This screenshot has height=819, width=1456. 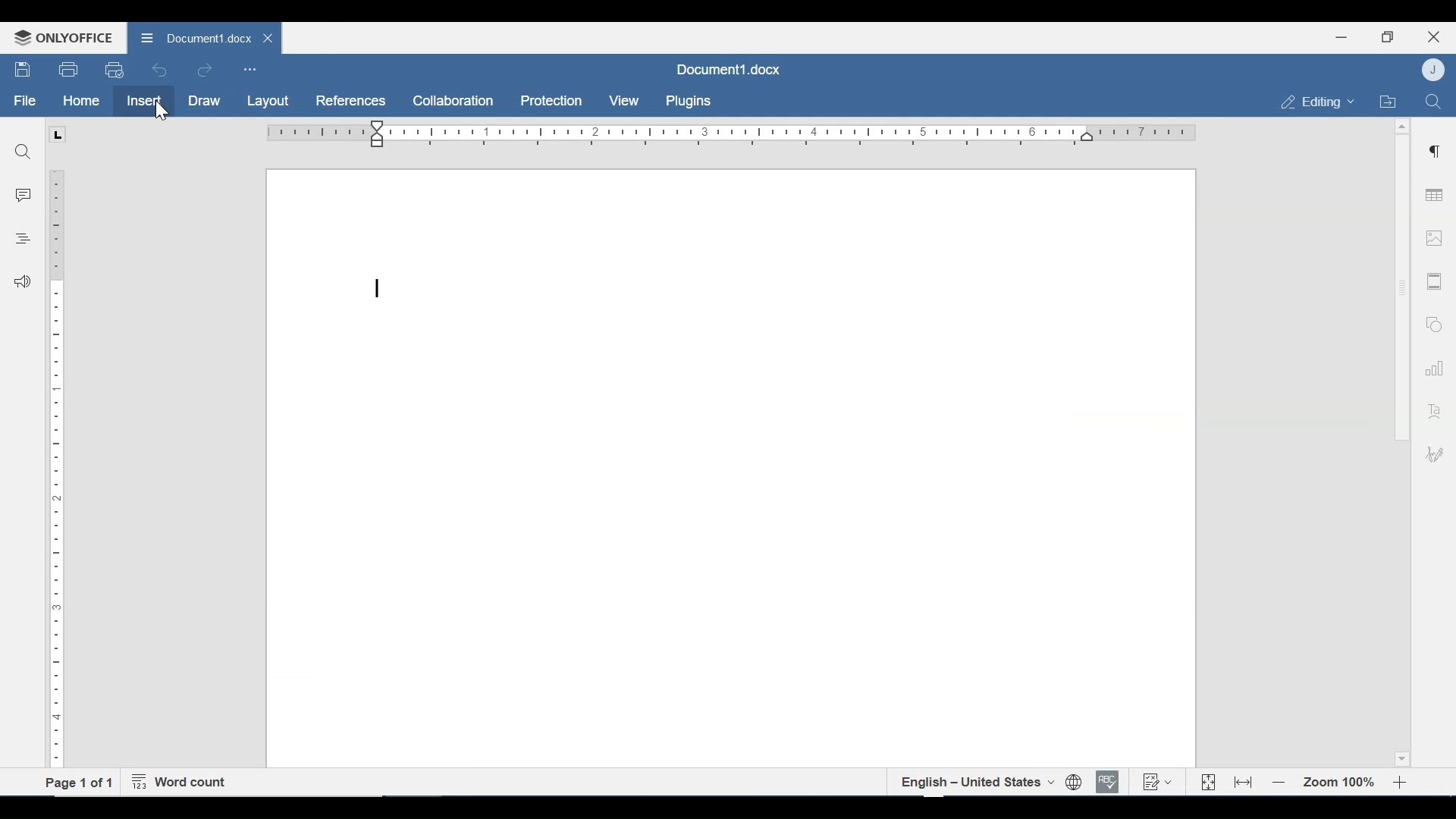 What do you see at coordinates (1435, 196) in the screenshot?
I see `Table Settings` at bounding box center [1435, 196].